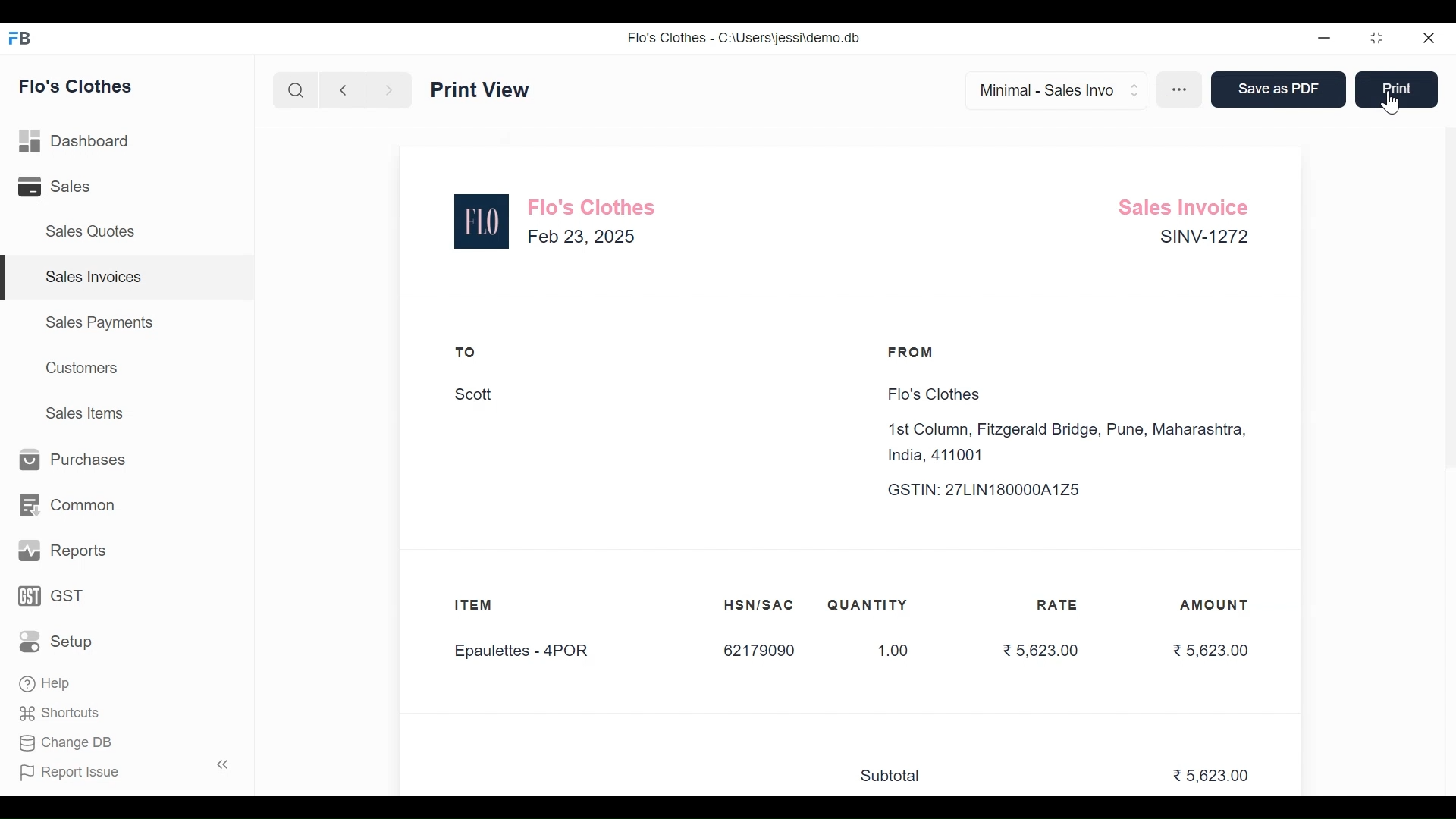 The width and height of the screenshot is (1456, 819). Describe the element at coordinates (595, 206) in the screenshot. I see `Flo's Clothes` at that location.